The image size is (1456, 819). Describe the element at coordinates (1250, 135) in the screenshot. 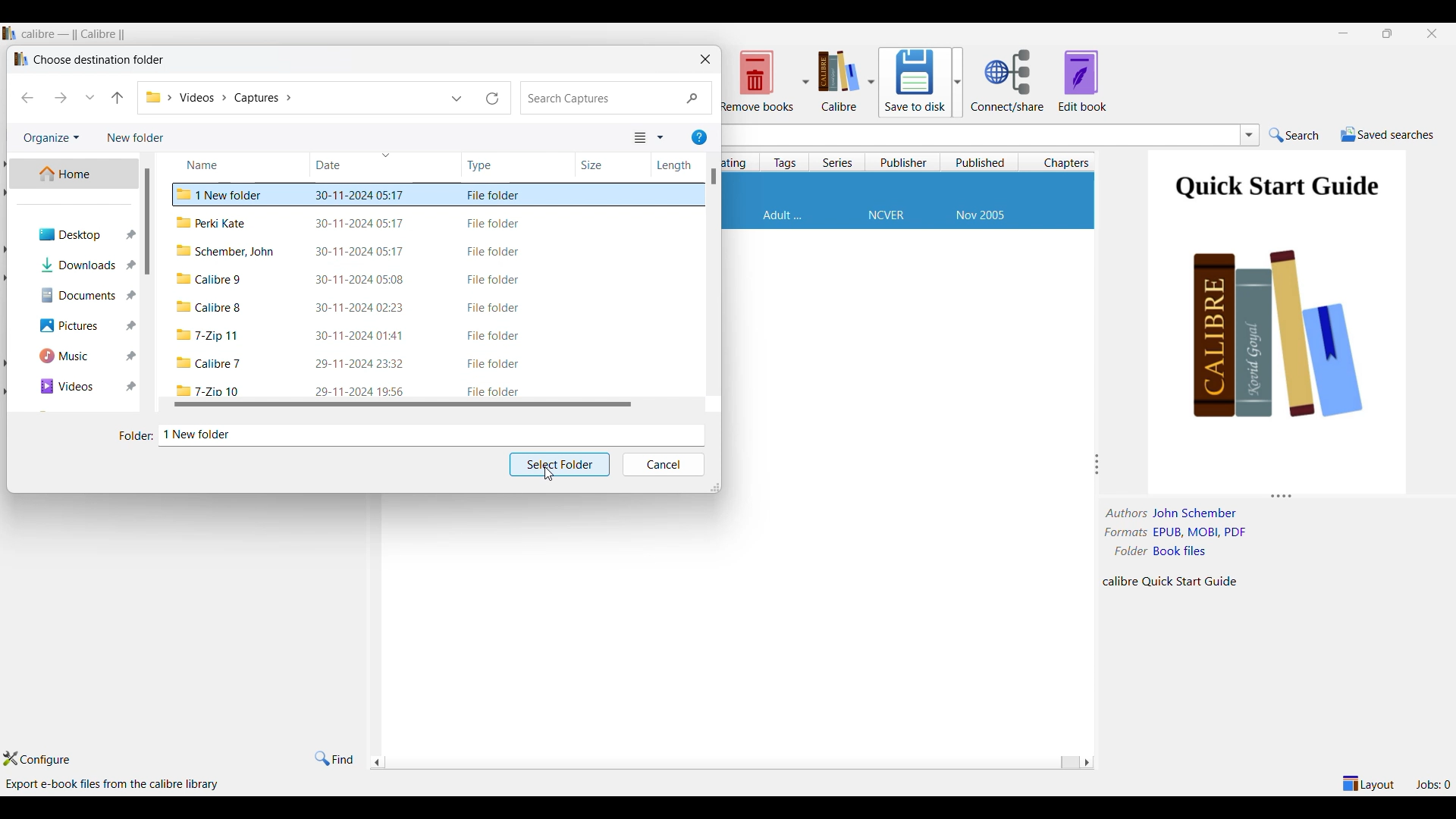

I see `List options` at that location.